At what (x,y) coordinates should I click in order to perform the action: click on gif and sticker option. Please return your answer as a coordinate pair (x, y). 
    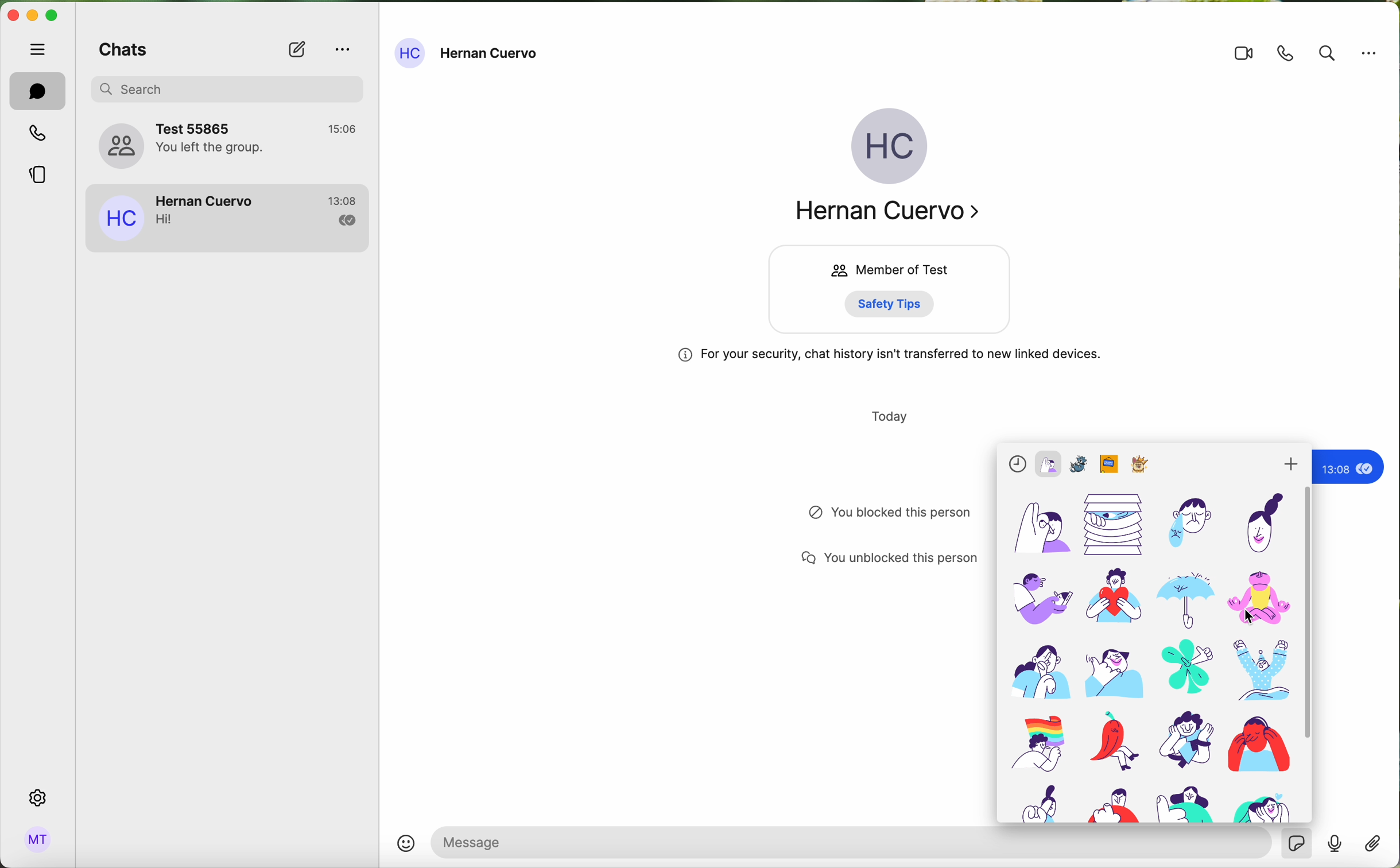
    Looking at the image, I should click on (1297, 843).